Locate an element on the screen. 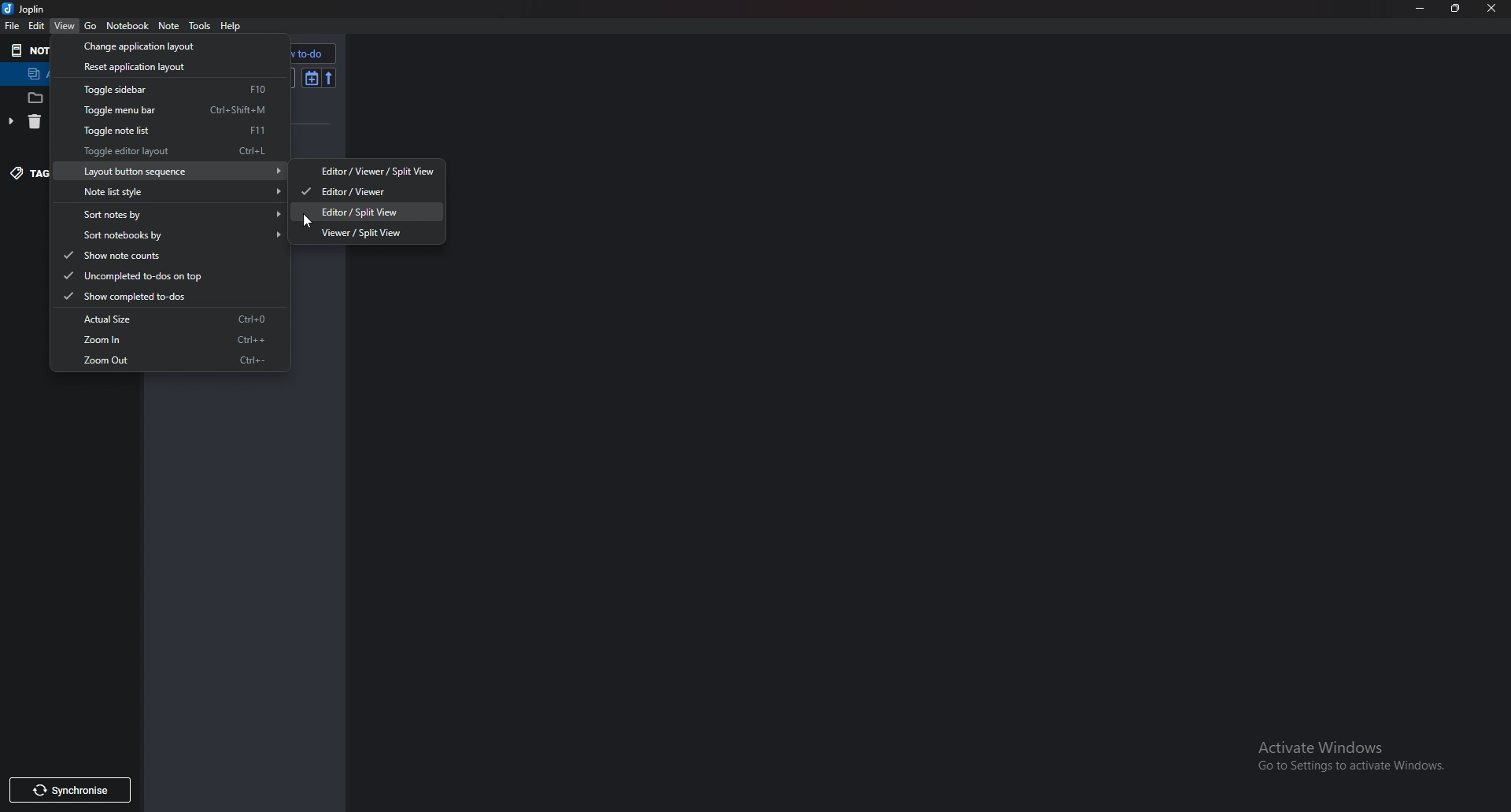 The width and height of the screenshot is (1511, 812). toggle note list is located at coordinates (171, 130).